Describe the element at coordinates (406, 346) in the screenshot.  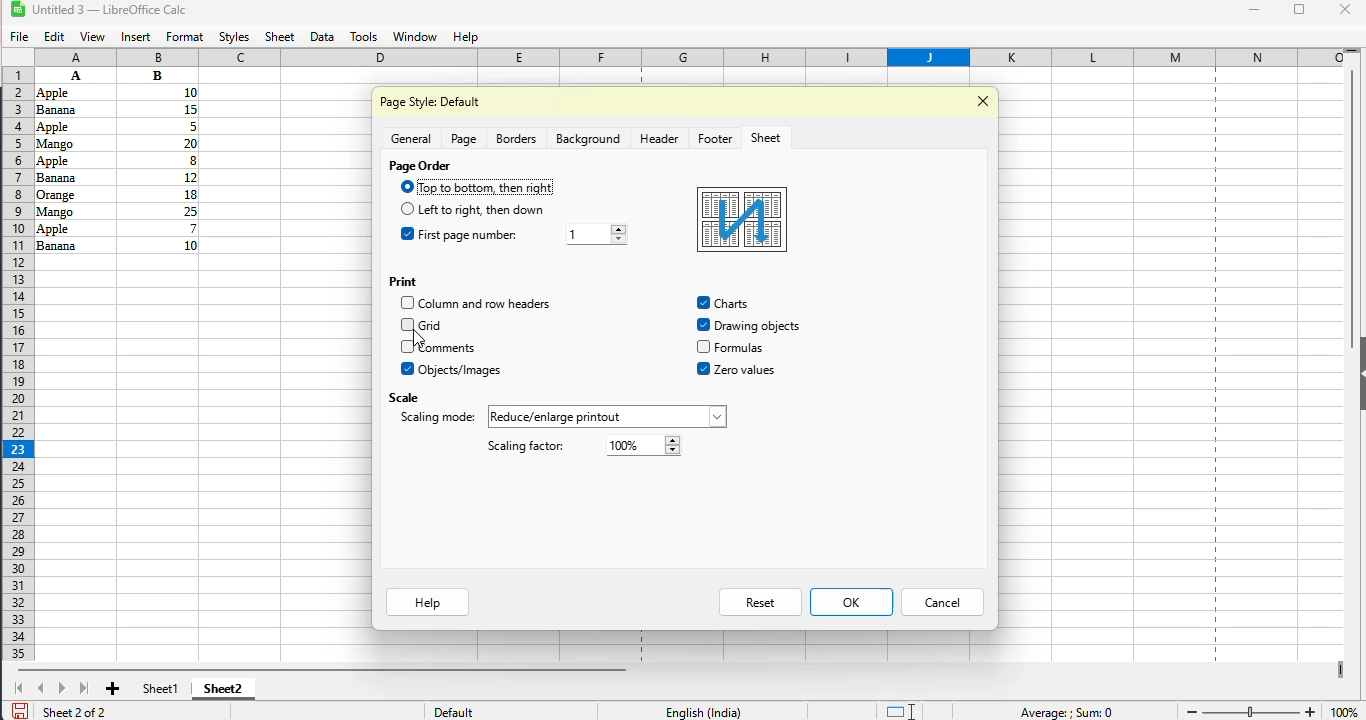
I see `` at that location.